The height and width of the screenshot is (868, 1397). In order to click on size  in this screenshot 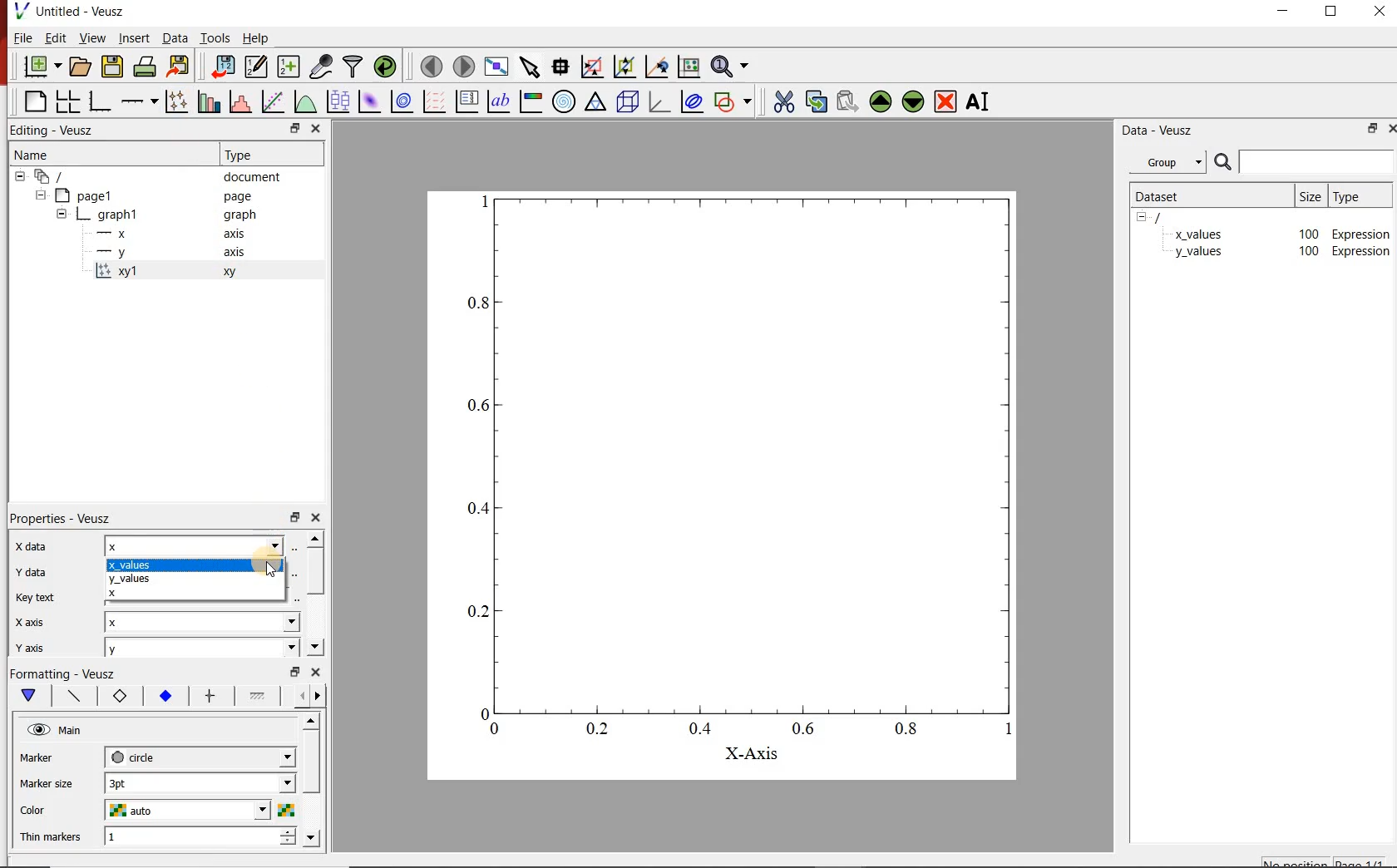, I will do `click(1311, 196)`.